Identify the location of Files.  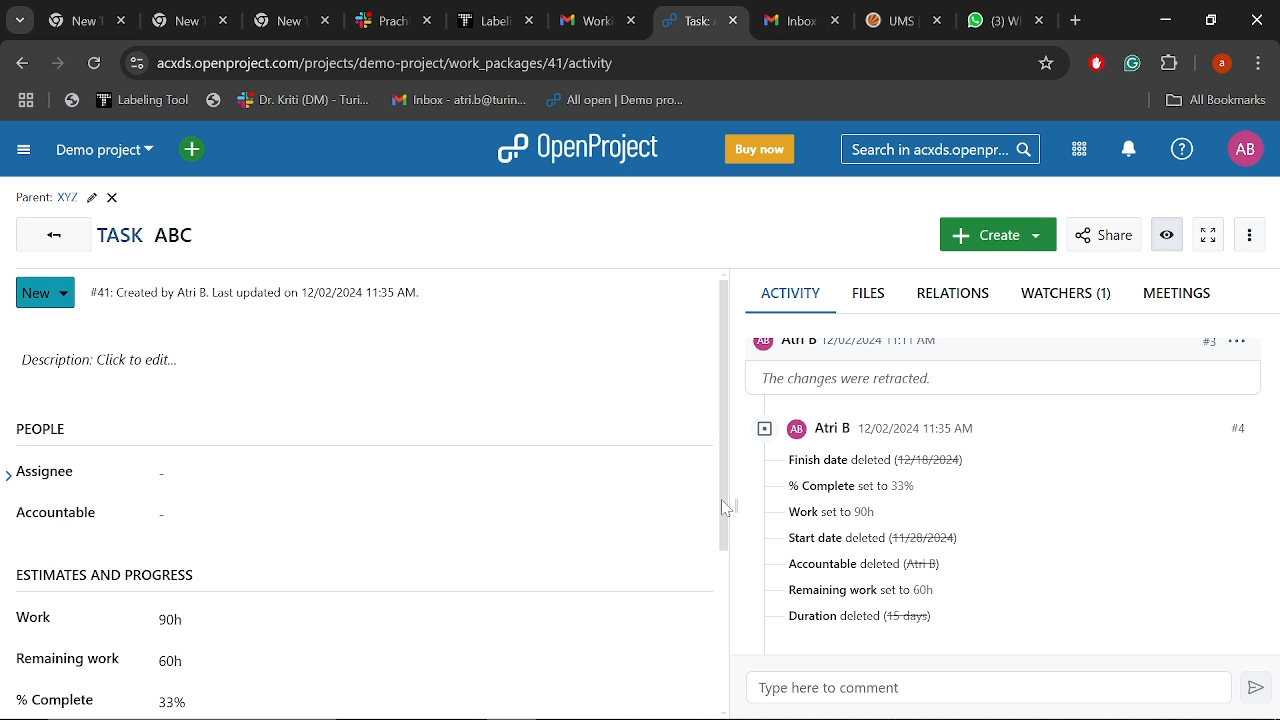
(870, 294).